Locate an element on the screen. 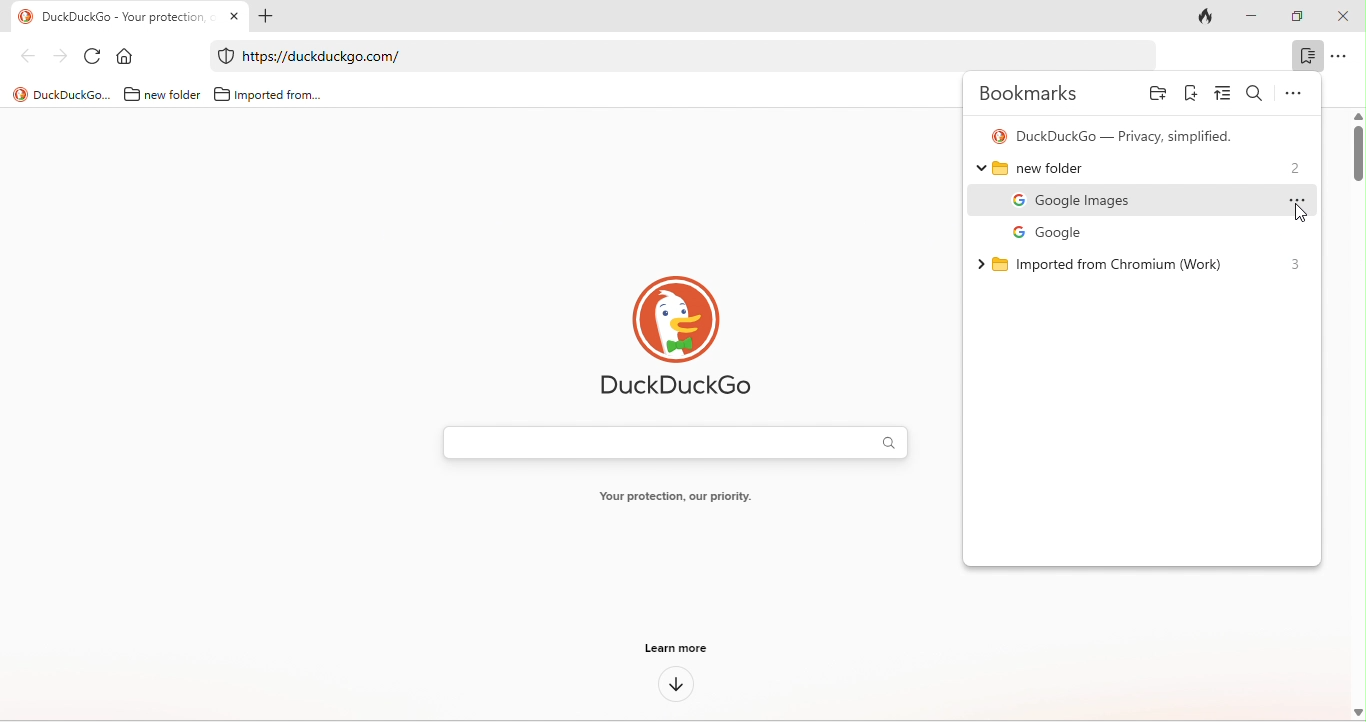  duck duck go logo is located at coordinates (676, 338).